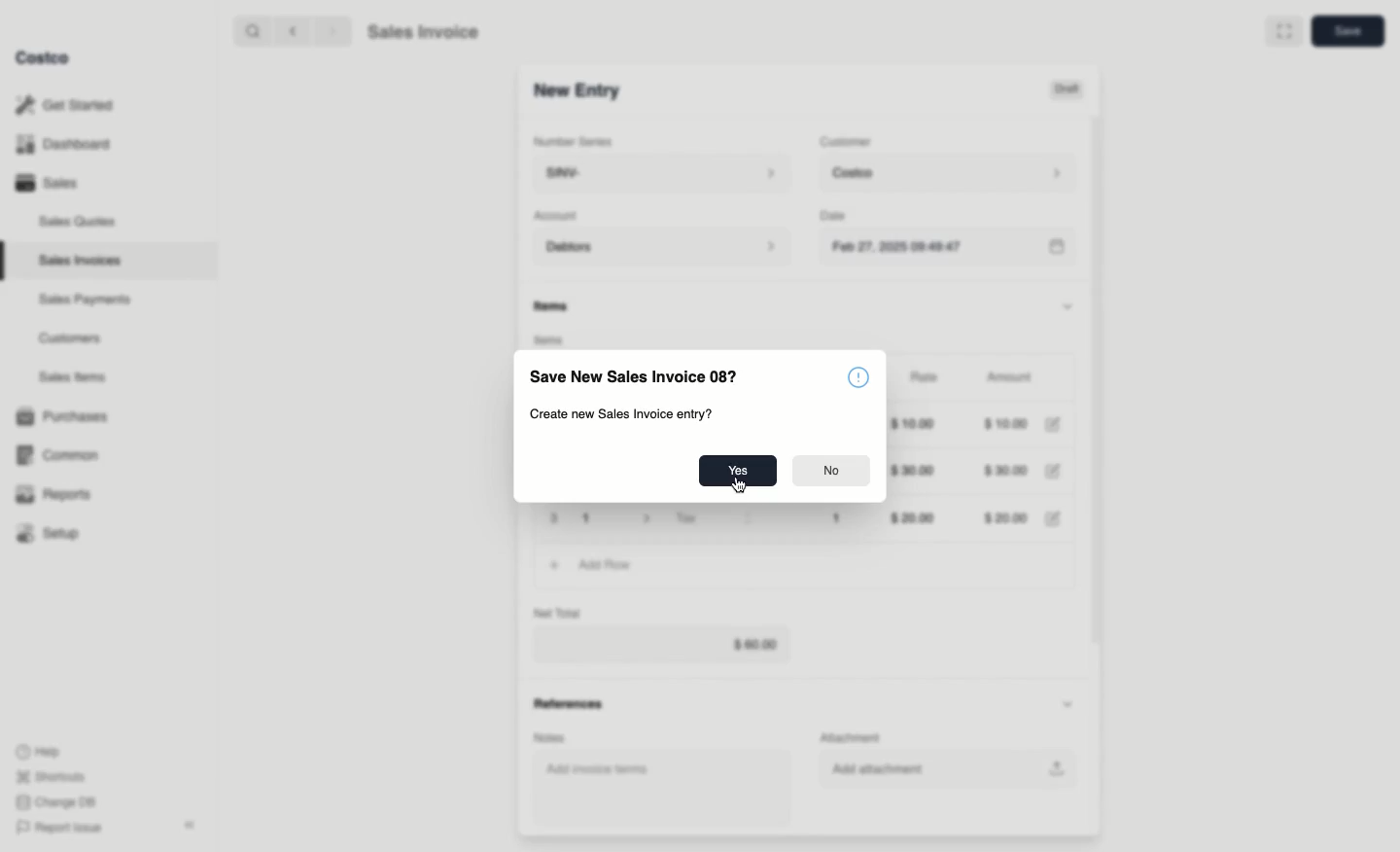  I want to click on Cursor, so click(738, 487).